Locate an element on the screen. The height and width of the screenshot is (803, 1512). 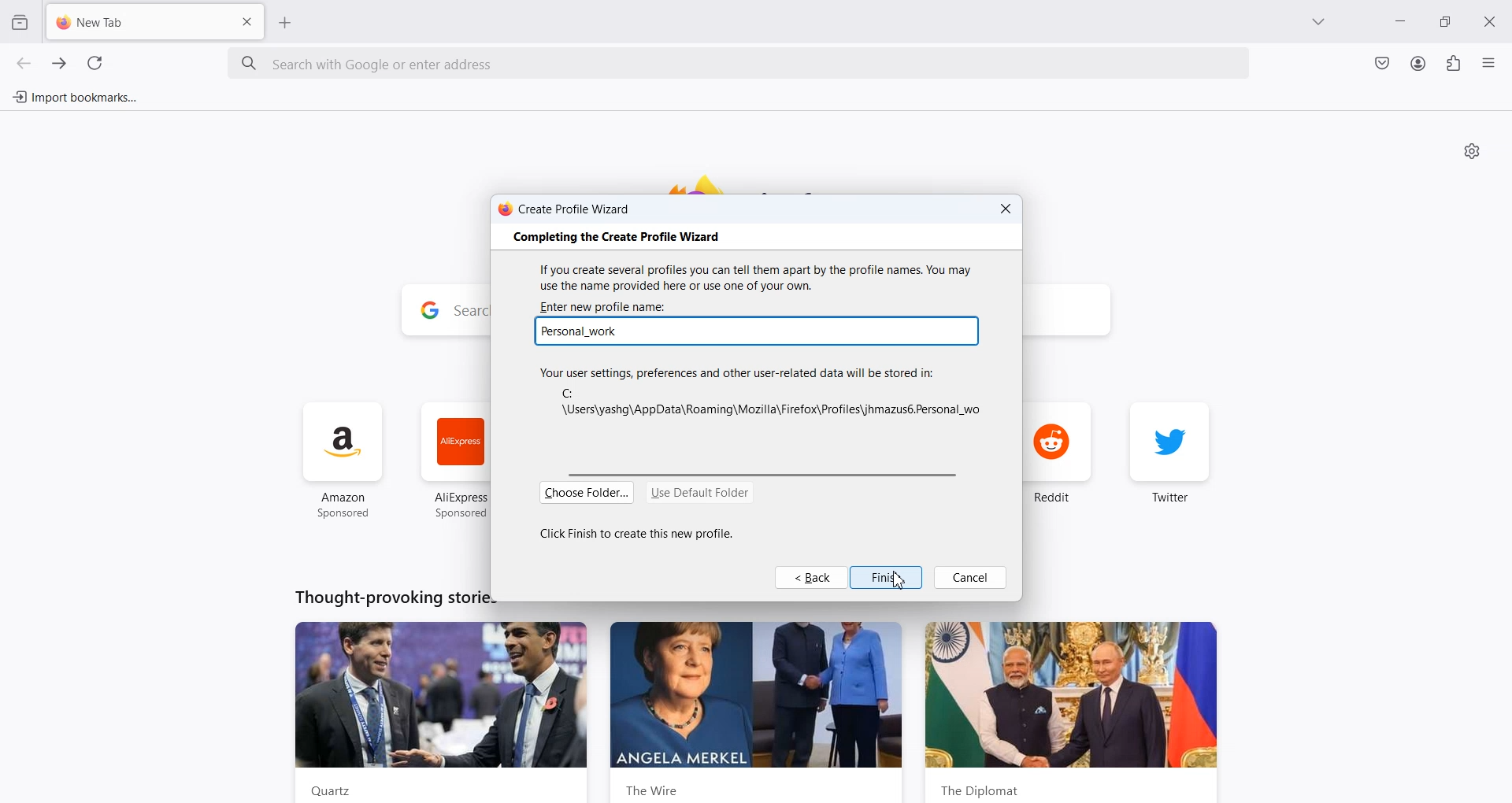
‘Completing the Create Profile Wizard is located at coordinates (609, 237).